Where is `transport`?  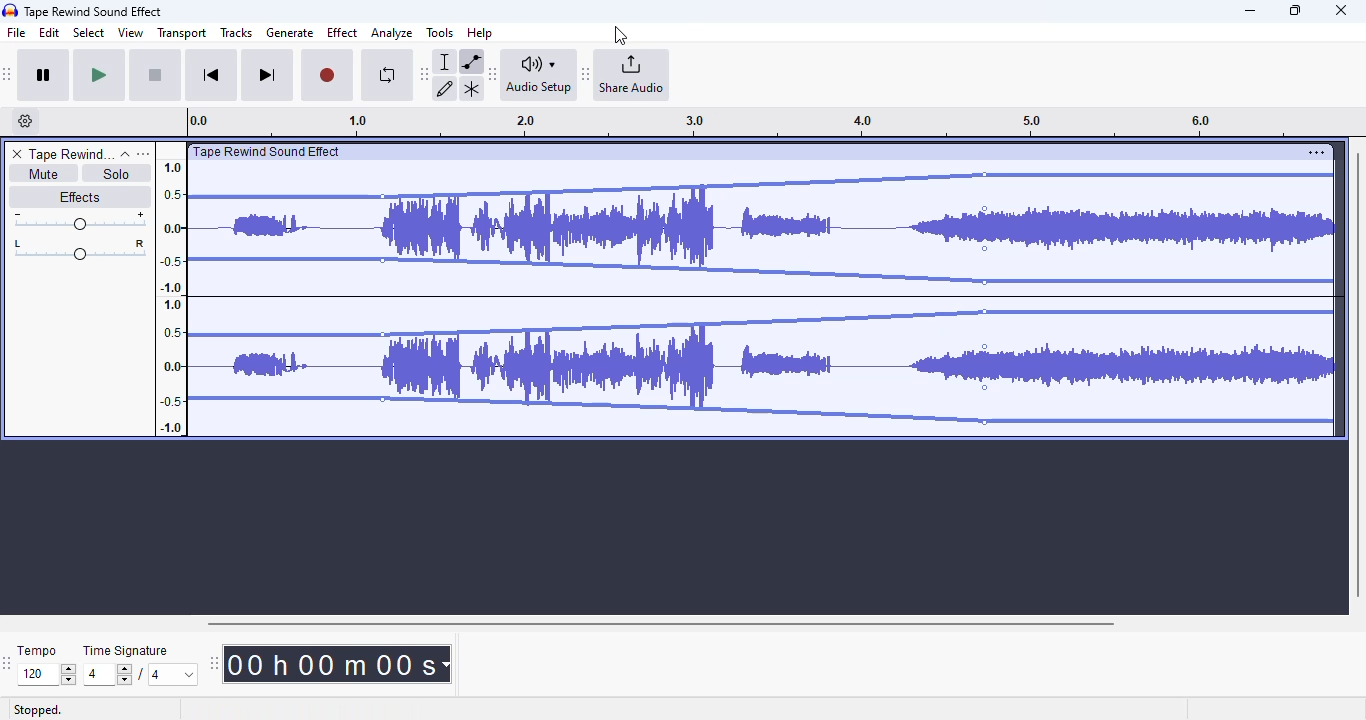
transport is located at coordinates (183, 33).